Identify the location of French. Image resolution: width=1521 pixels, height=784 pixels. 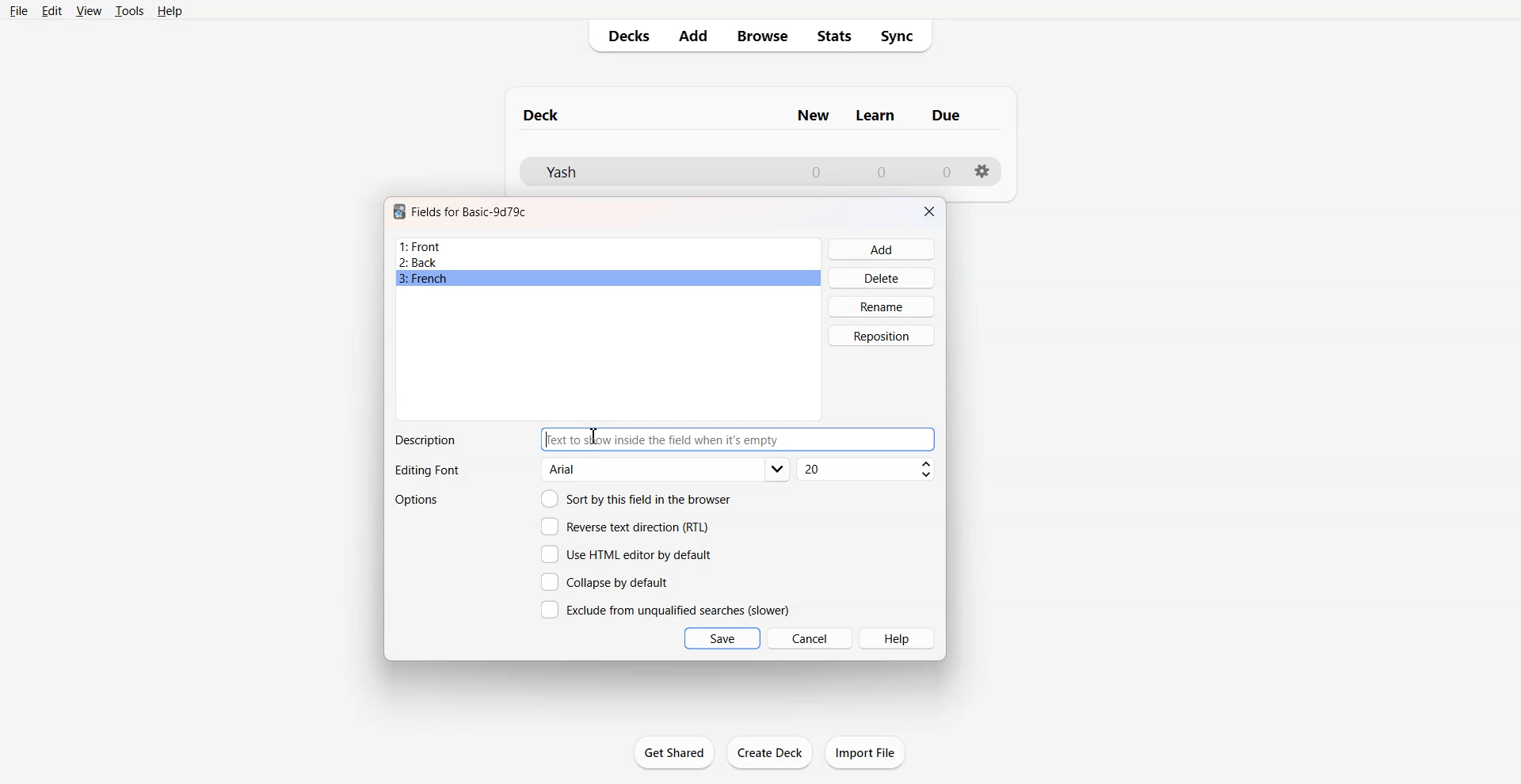
(608, 279).